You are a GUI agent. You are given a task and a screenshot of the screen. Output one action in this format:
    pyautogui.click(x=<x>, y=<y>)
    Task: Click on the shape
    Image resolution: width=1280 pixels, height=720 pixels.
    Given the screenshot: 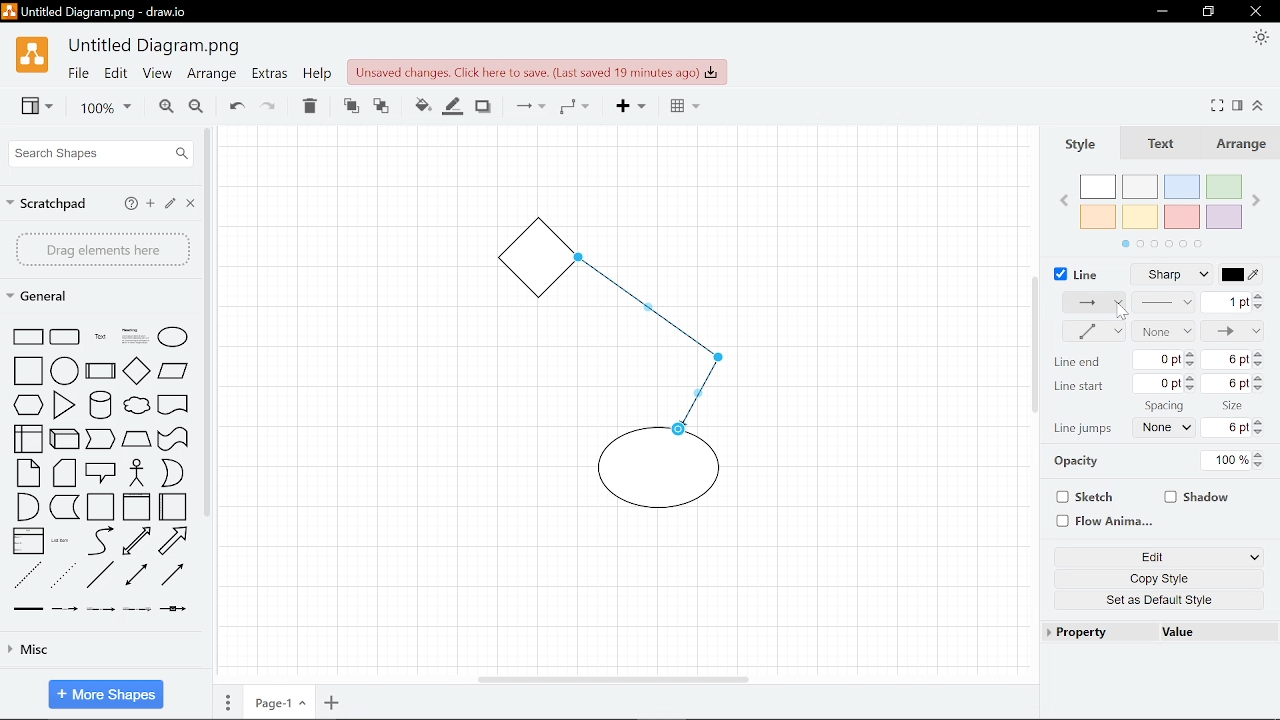 What is the action you would take?
    pyautogui.click(x=99, y=540)
    